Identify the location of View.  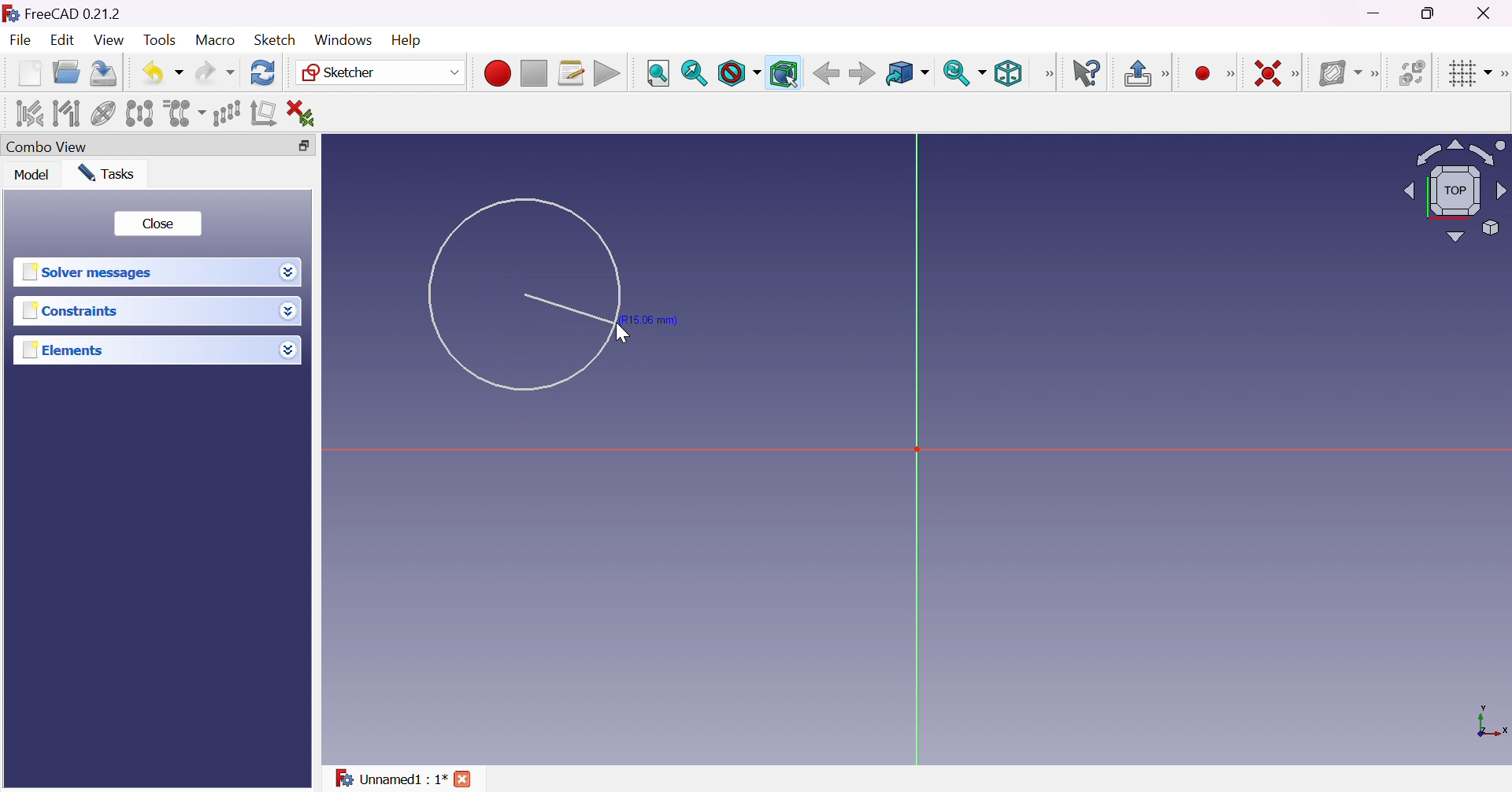
(110, 41).